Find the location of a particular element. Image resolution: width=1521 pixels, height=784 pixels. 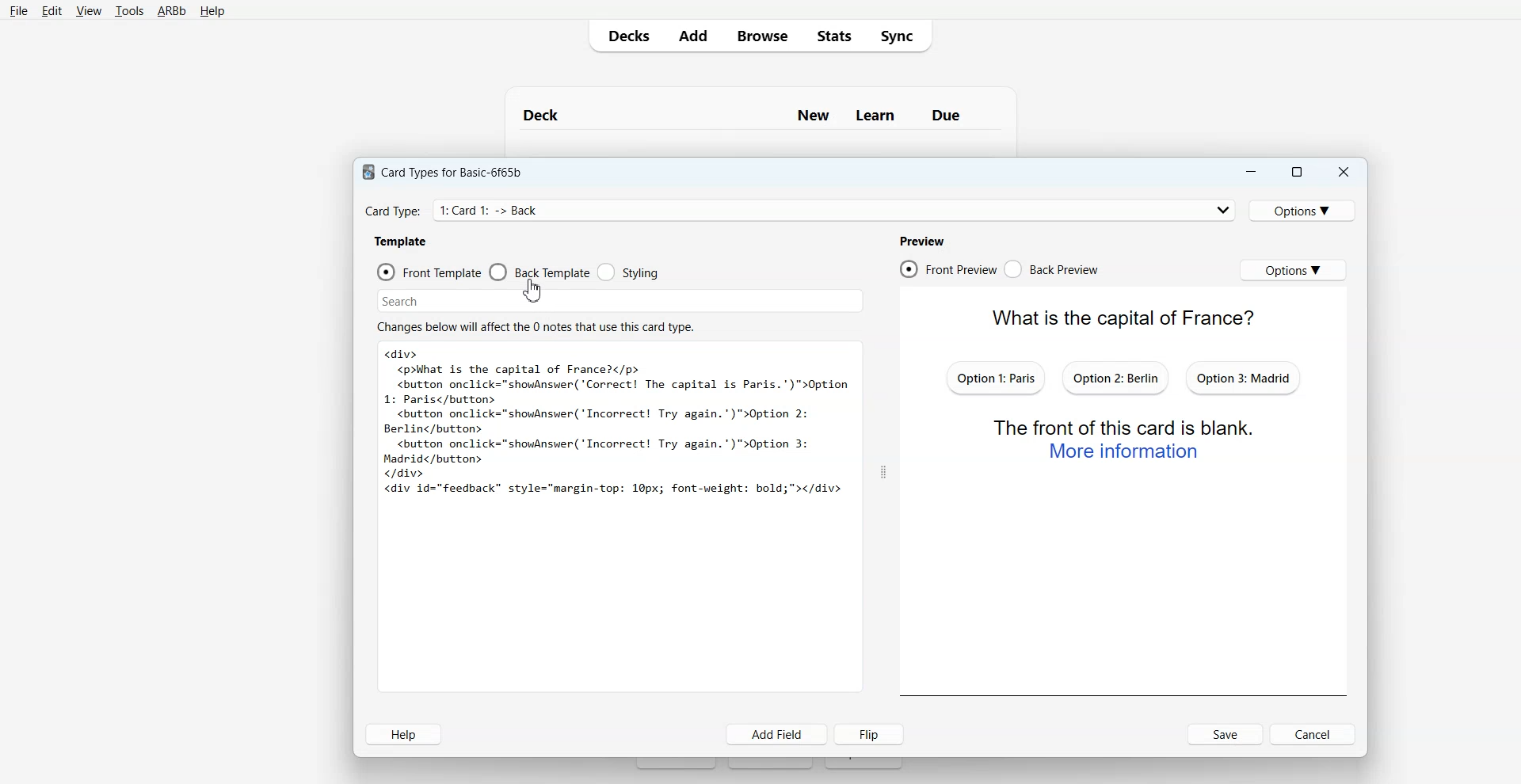

Text is located at coordinates (616, 424).